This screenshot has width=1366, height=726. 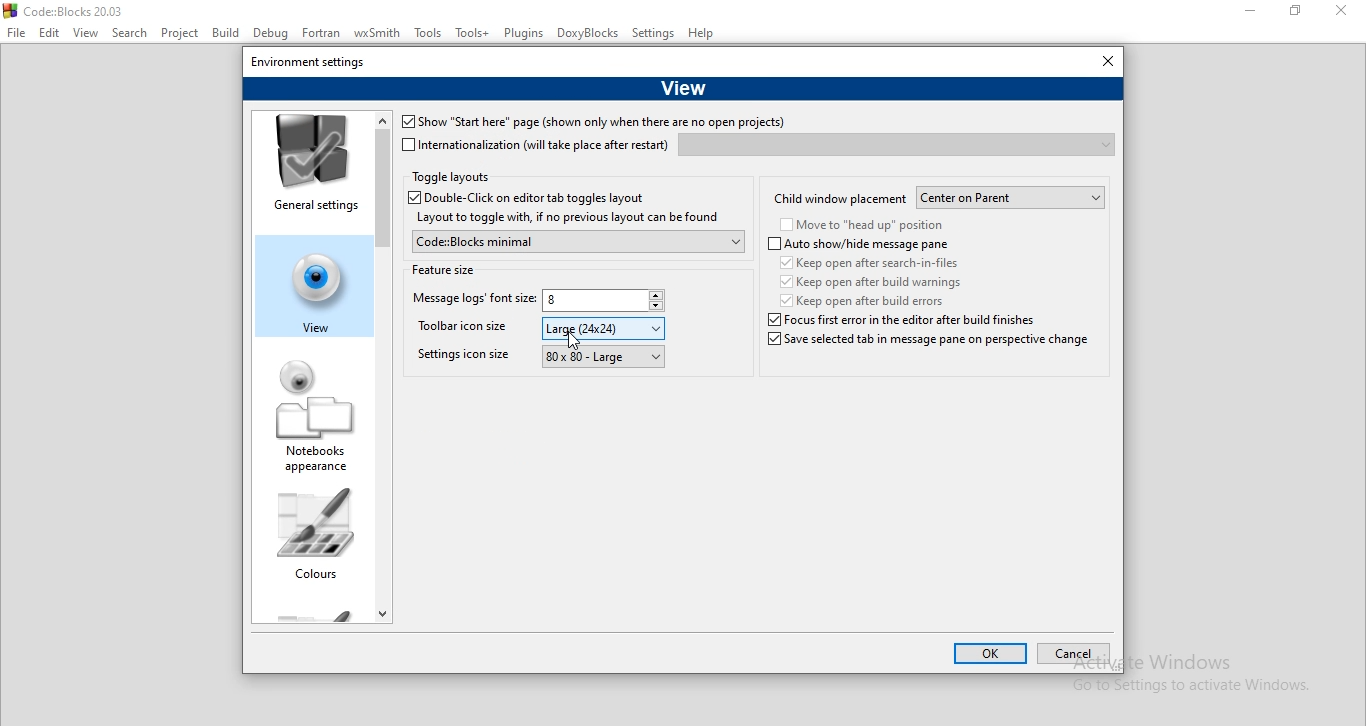 I want to click on Layout to toggle with, if no previous layout can be found, so click(x=566, y=218).